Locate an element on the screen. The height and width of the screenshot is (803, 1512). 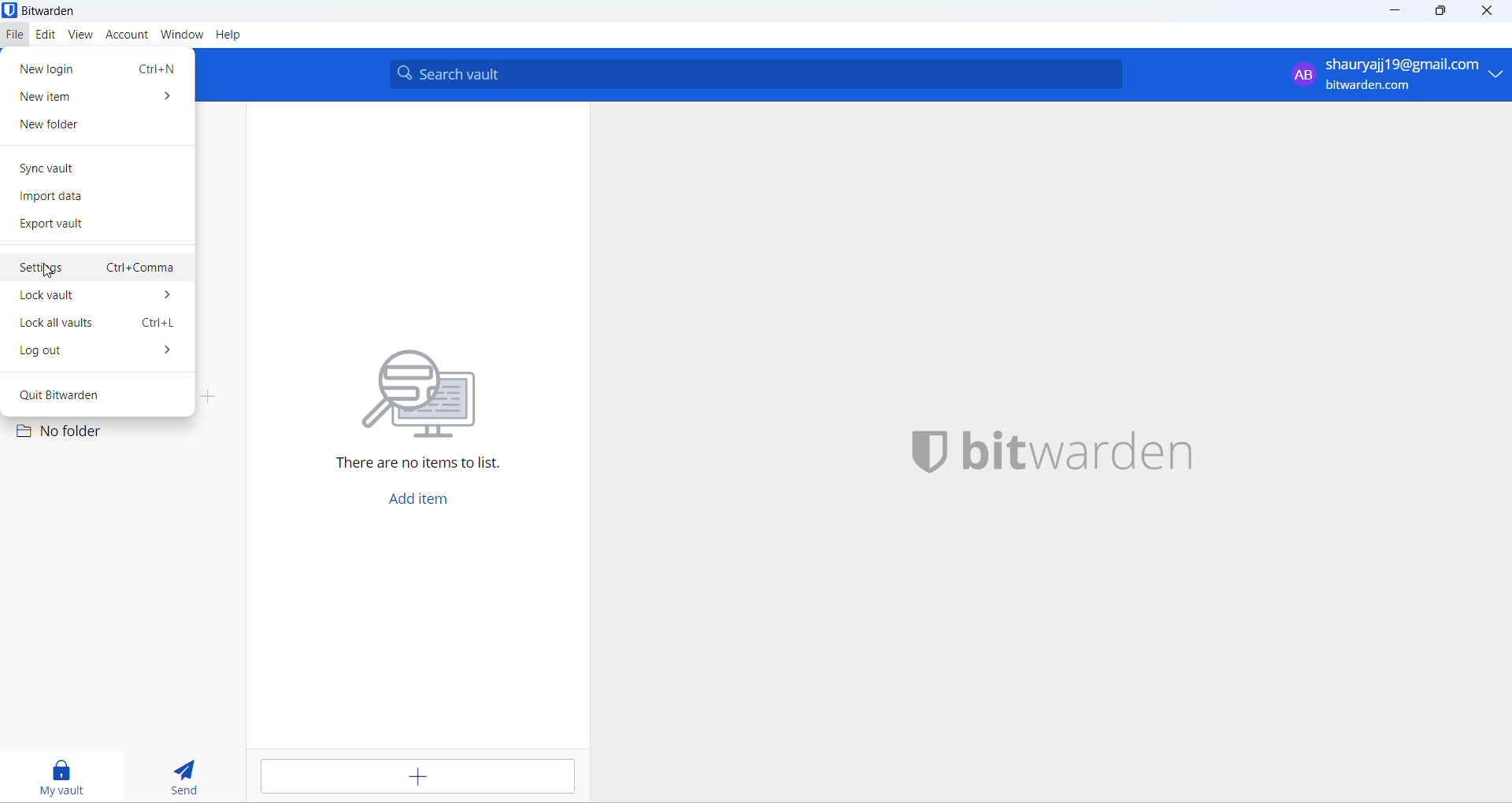
window is located at coordinates (180, 35).